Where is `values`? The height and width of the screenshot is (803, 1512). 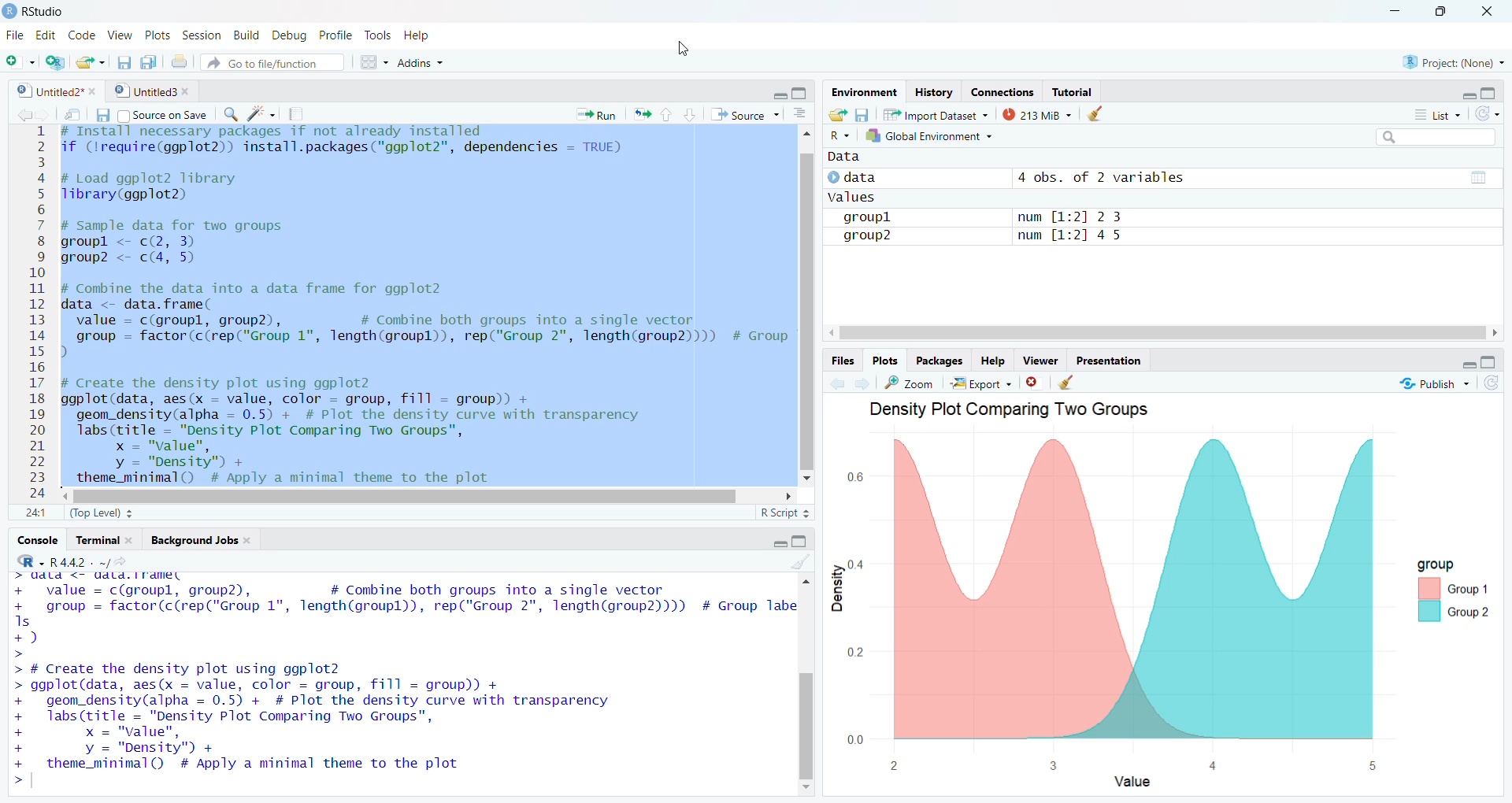
values is located at coordinates (862, 198).